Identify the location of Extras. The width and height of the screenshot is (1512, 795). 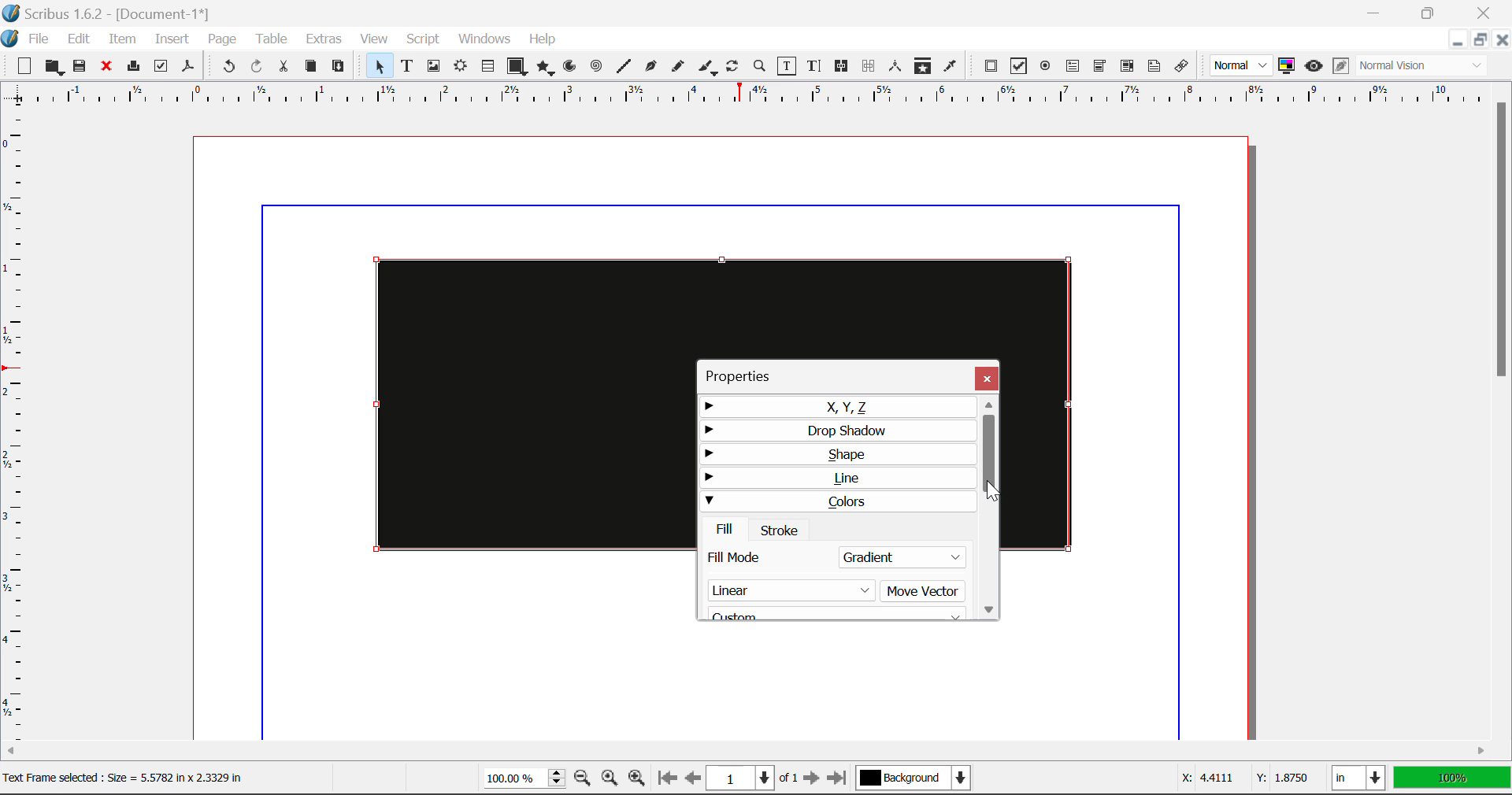
(326, 39).